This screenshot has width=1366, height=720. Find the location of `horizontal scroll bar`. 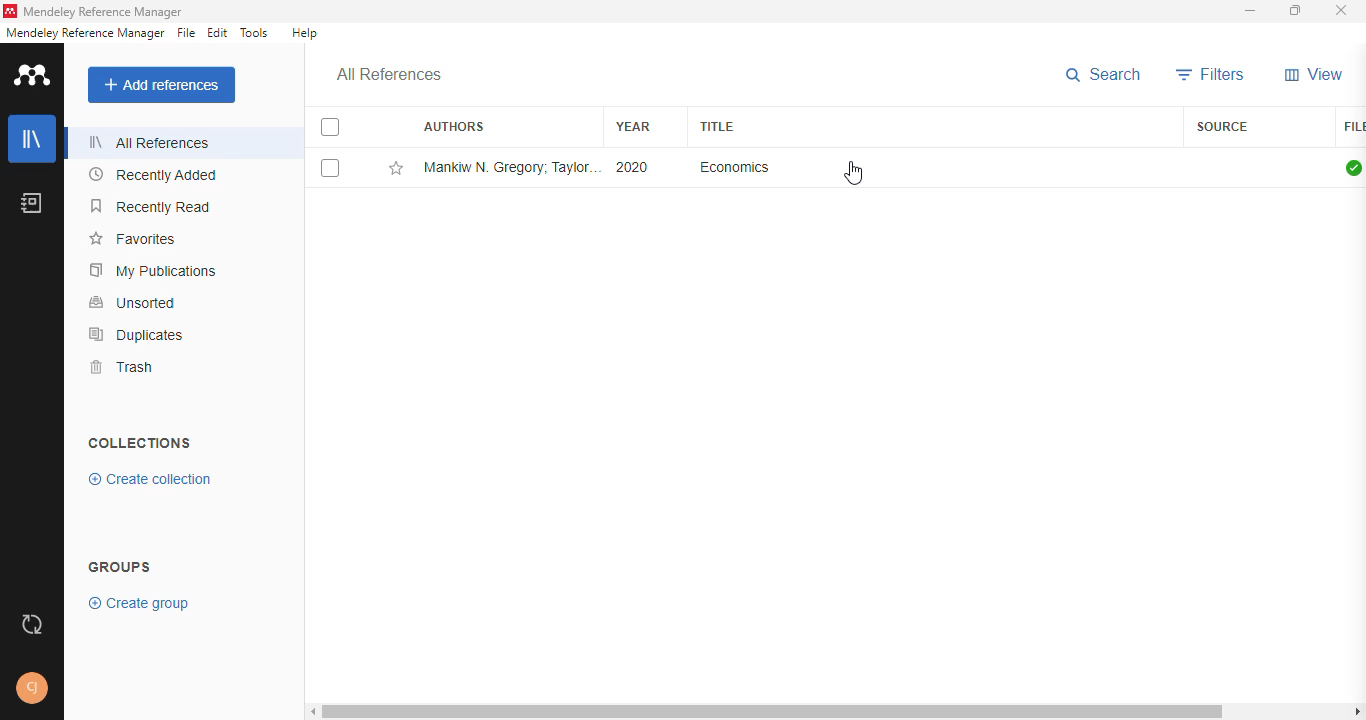

horizontal scroll bar is located at coordinates (775, 711).